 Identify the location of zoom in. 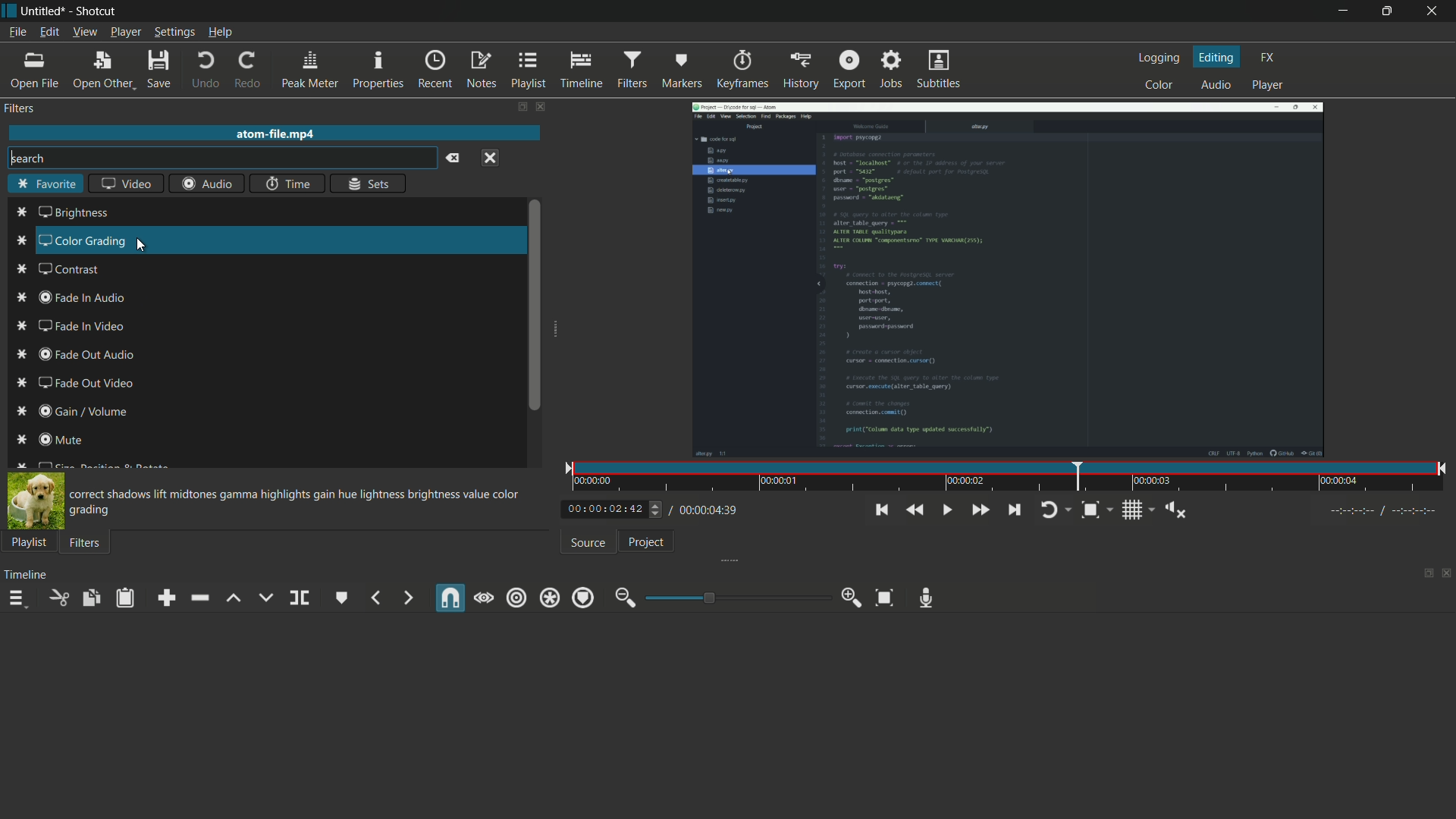
(852, 598).